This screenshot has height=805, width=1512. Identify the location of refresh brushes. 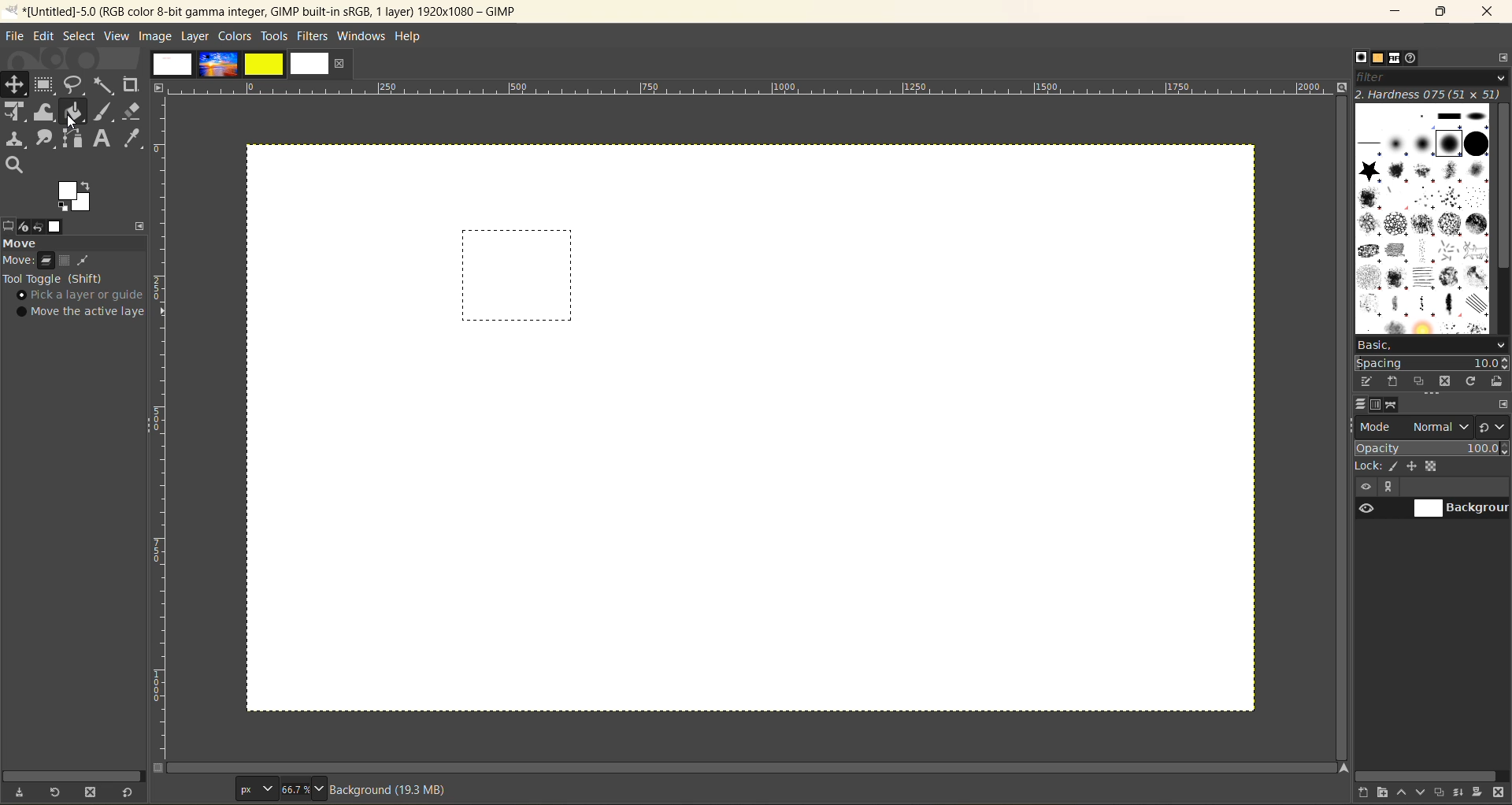
(1470, 381).